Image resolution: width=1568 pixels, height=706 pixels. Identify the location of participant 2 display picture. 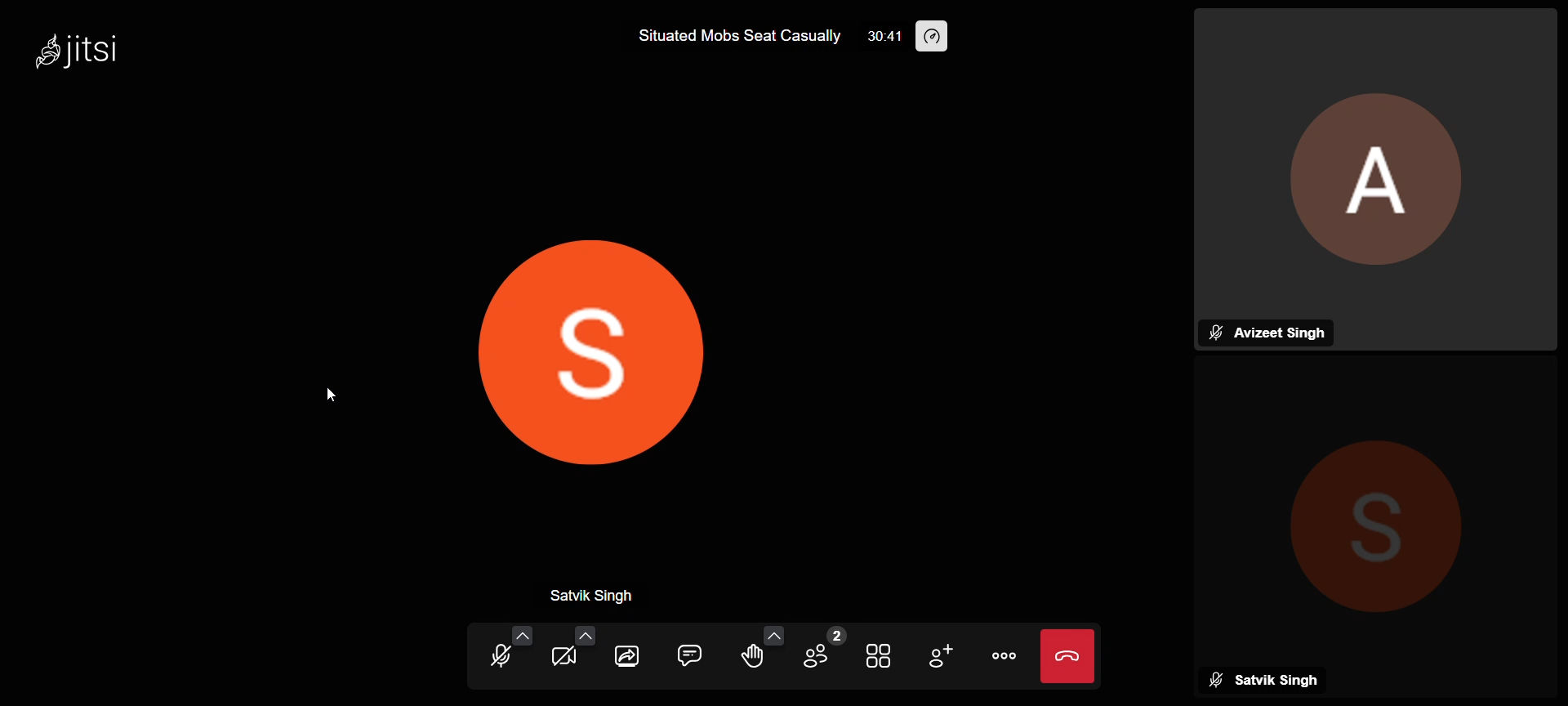
(586, 342).